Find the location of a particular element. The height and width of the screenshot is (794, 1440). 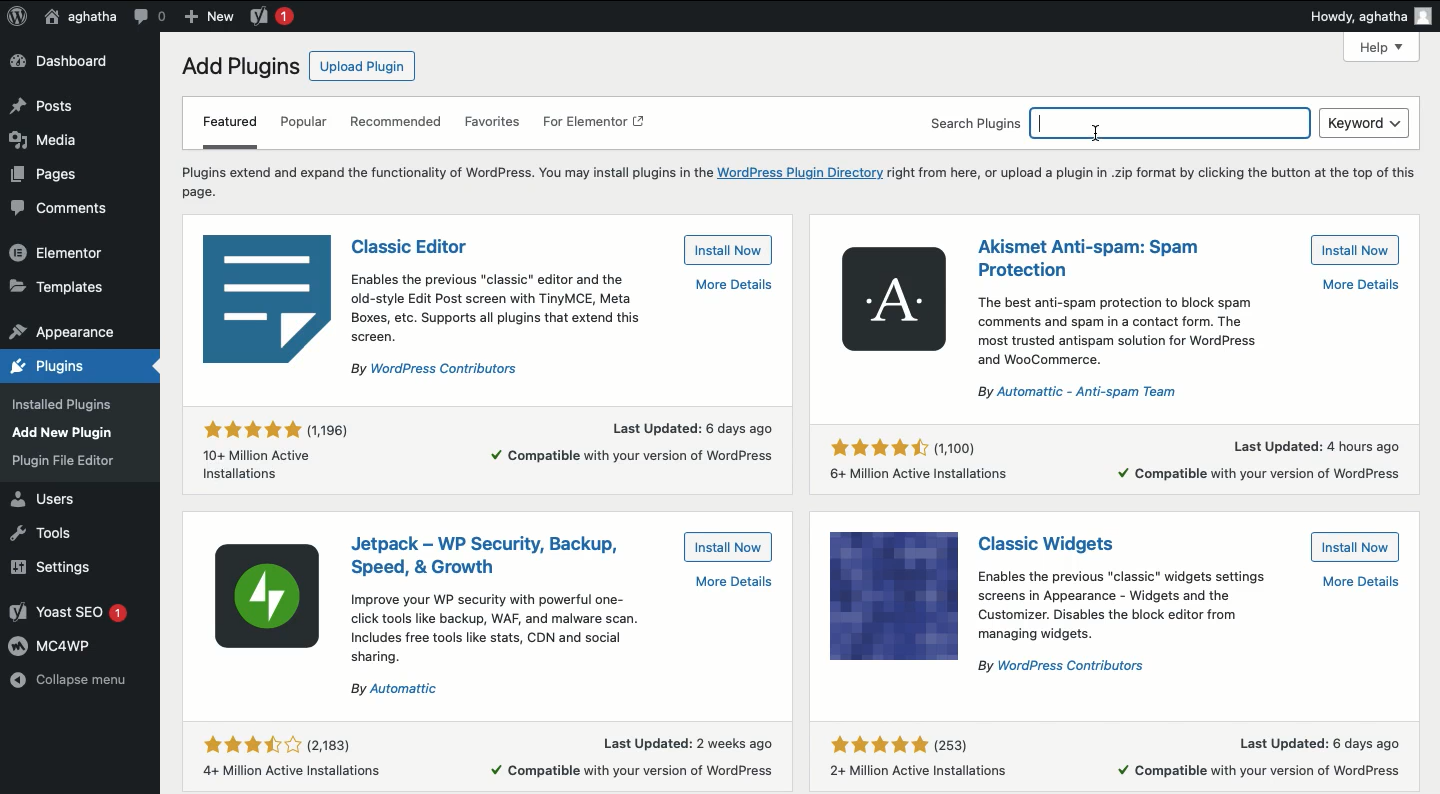

Featured is located at coordinates (229, 129).